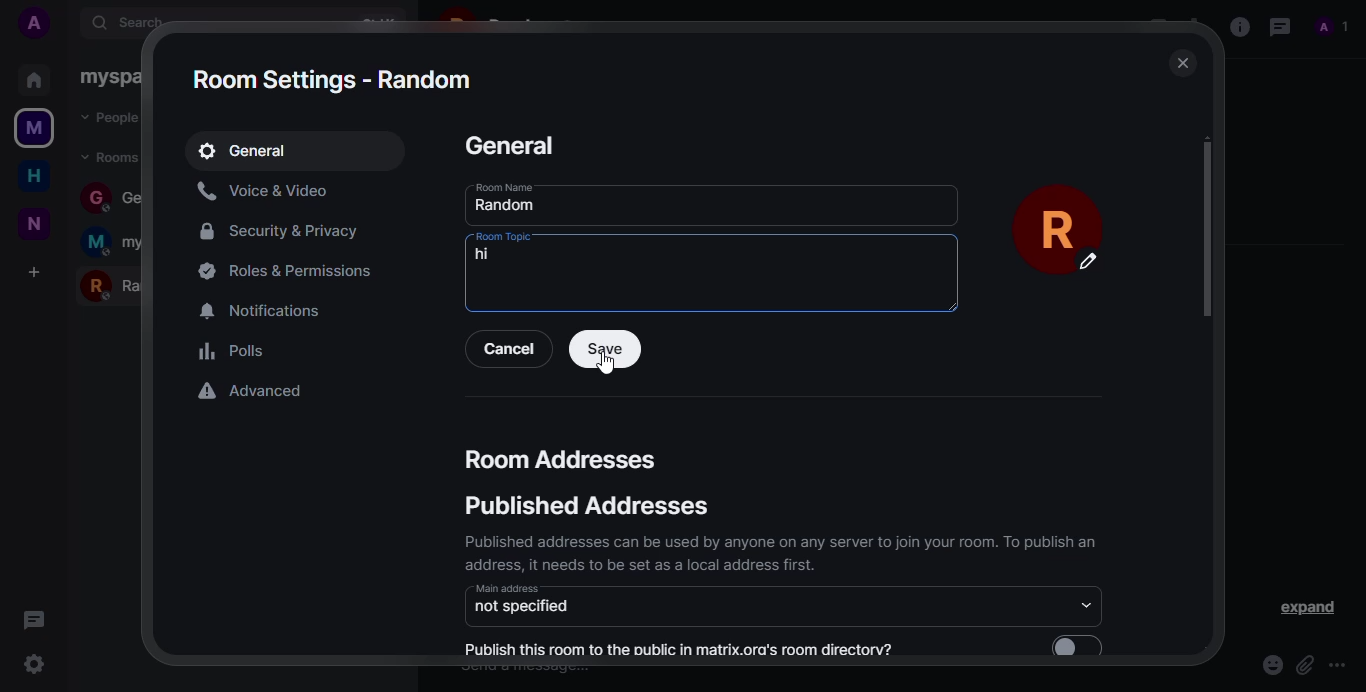 Image resolution: width=1366 pixels, height=692 pixels. What do you see at coordinates (33, 177) in the screenshot?
I see `home` at bounding box center [33, 177].